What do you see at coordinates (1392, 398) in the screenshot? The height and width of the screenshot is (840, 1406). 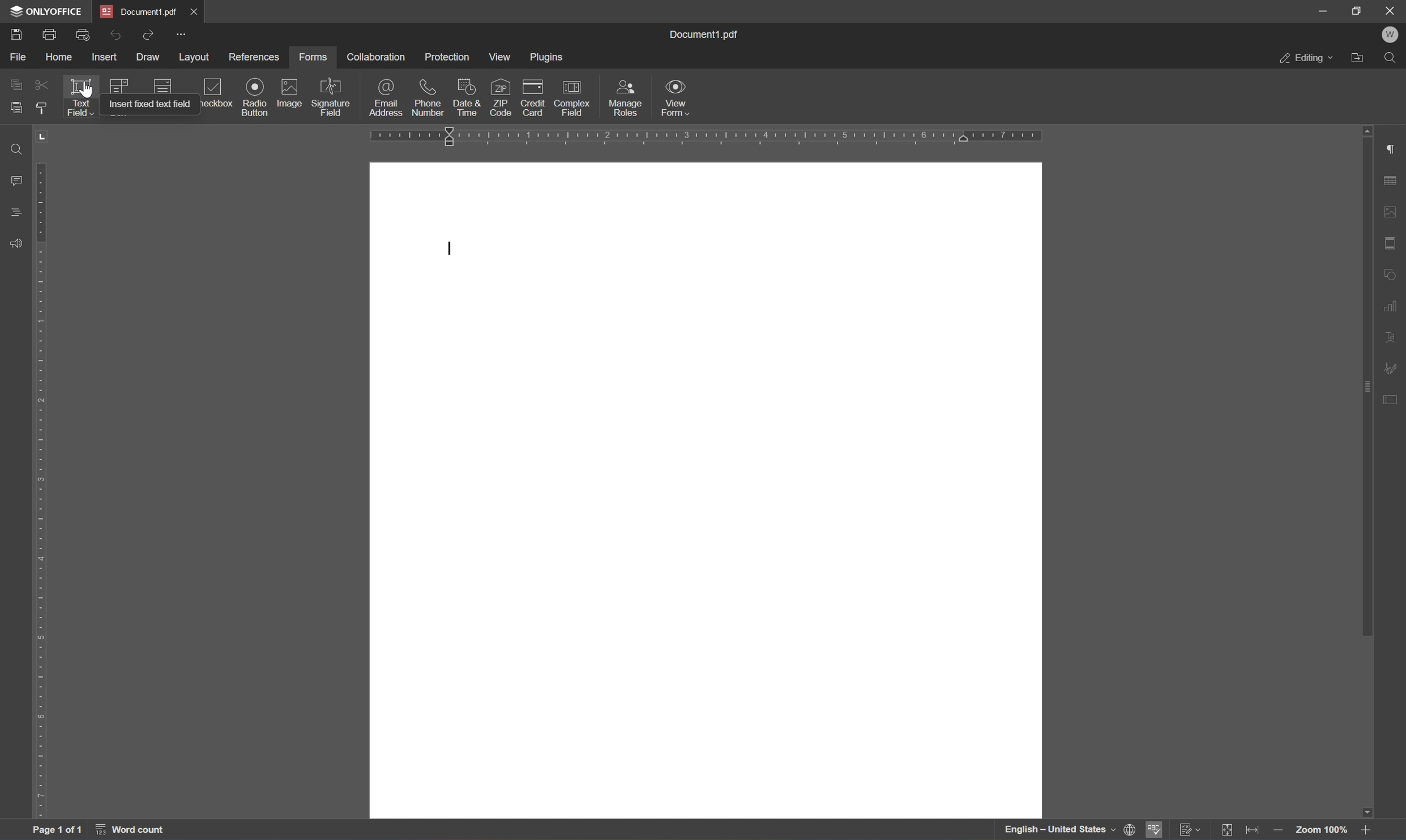 I see `form settings` at bounding box center [1392, 398].